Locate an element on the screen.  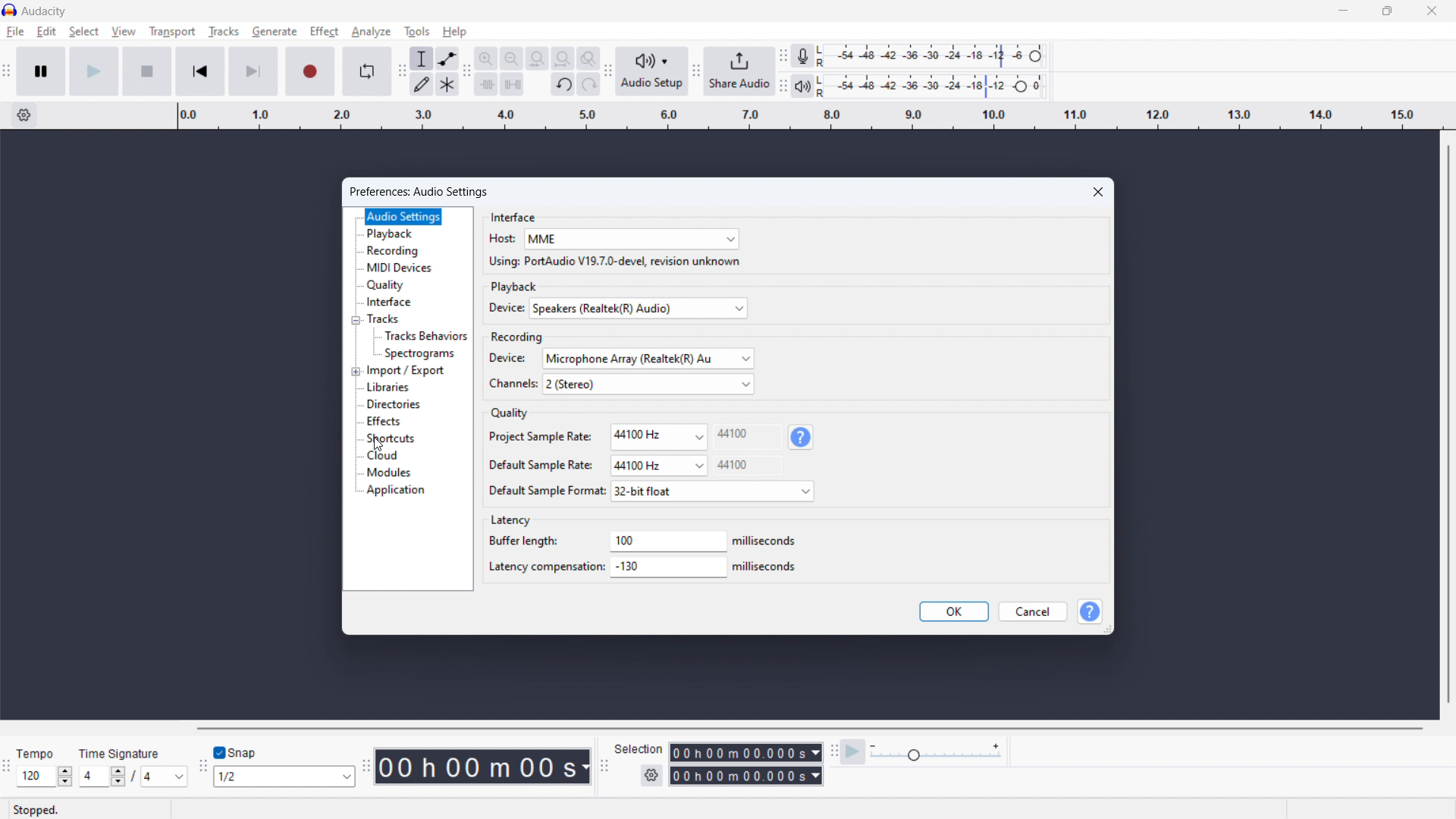
selection tool is located at coordinates (422, 58).